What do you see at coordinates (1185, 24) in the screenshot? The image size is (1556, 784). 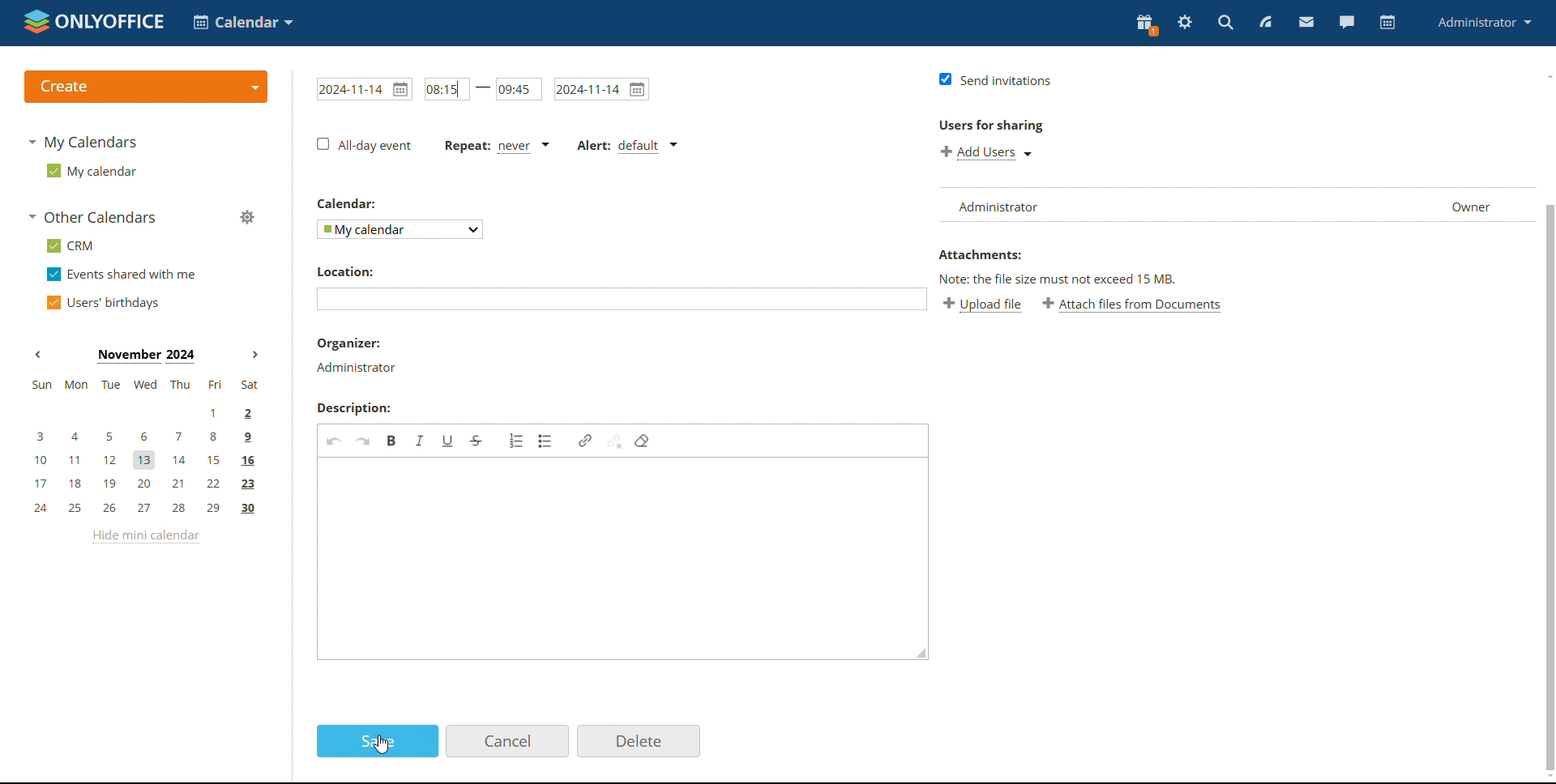 I see `settings` at bounding box center [1185, 24].